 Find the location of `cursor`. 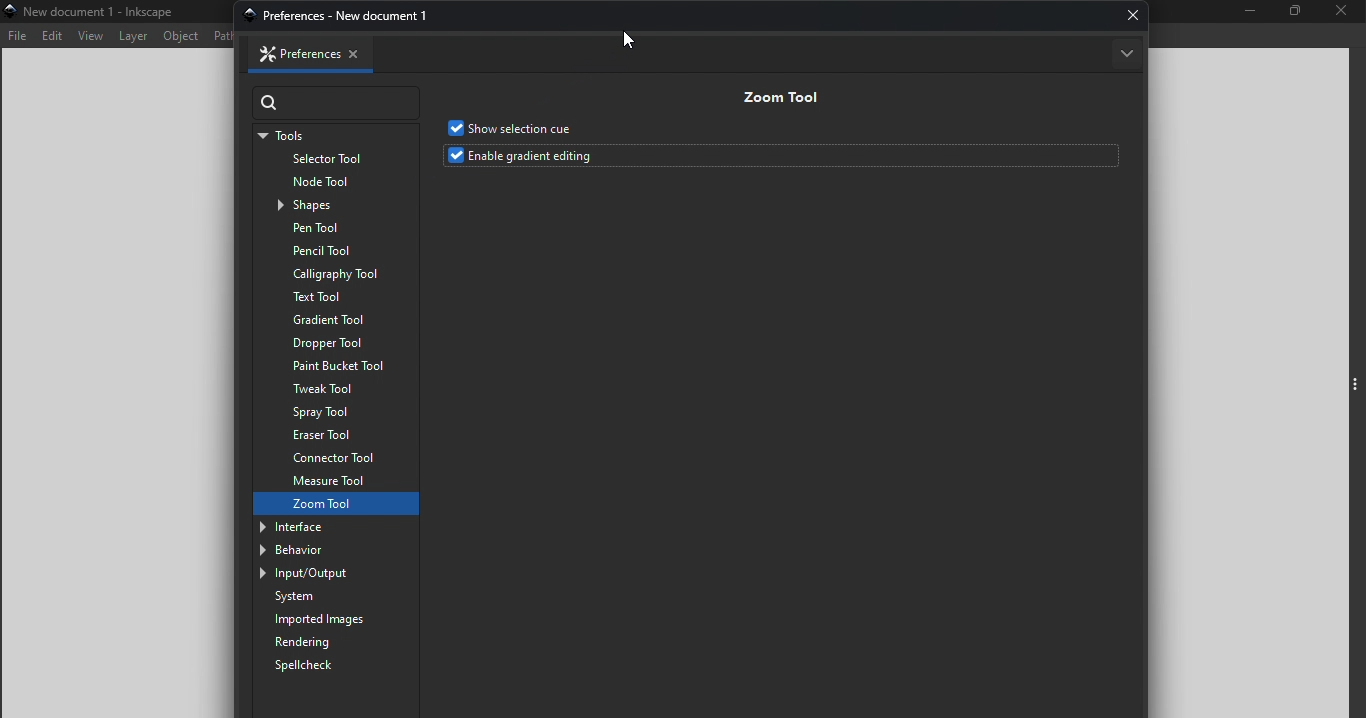

cursor is located at coordinates (629, 39).